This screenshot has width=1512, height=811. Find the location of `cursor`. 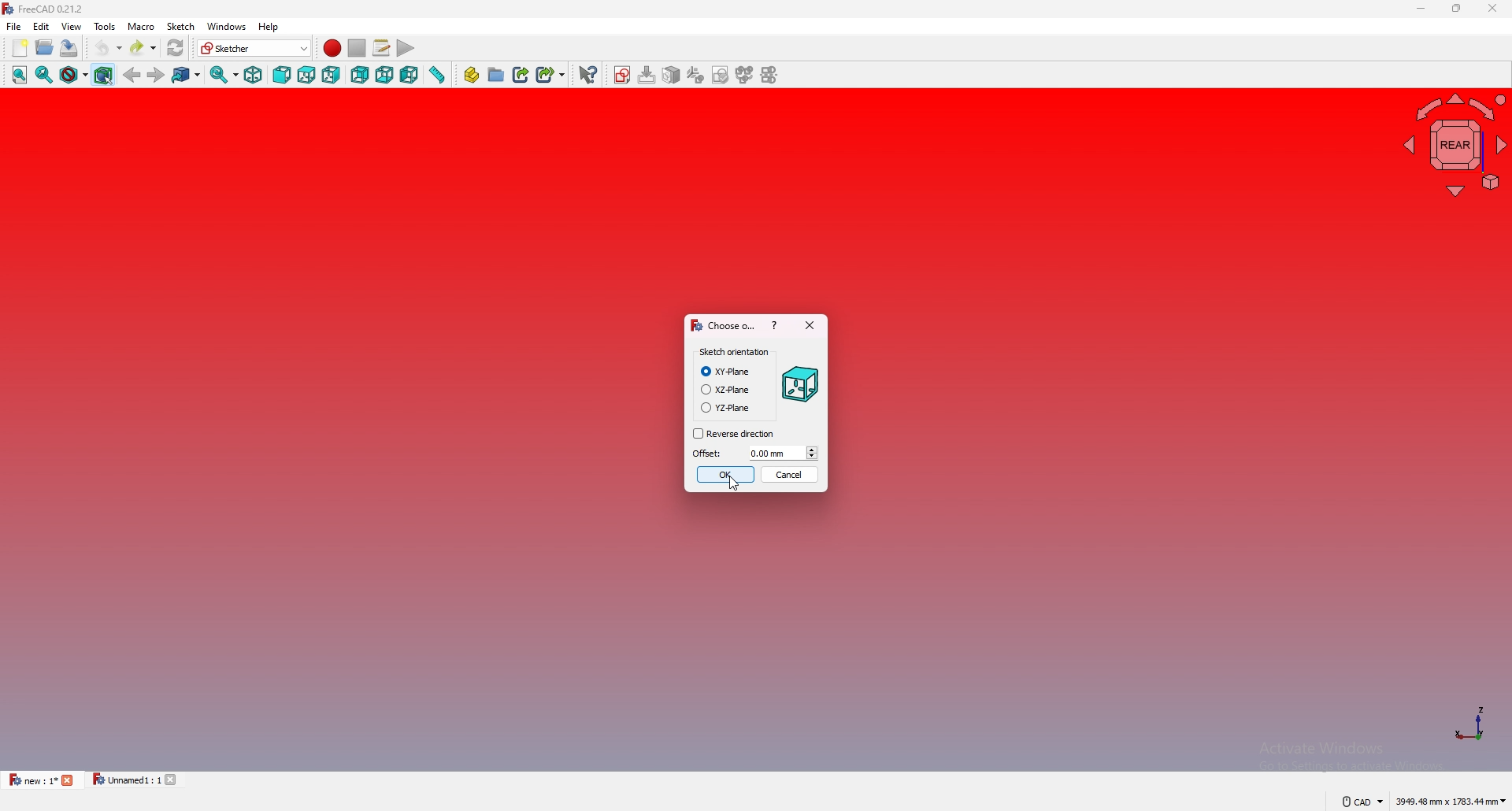

cursor is located at coordinates (736, 483).